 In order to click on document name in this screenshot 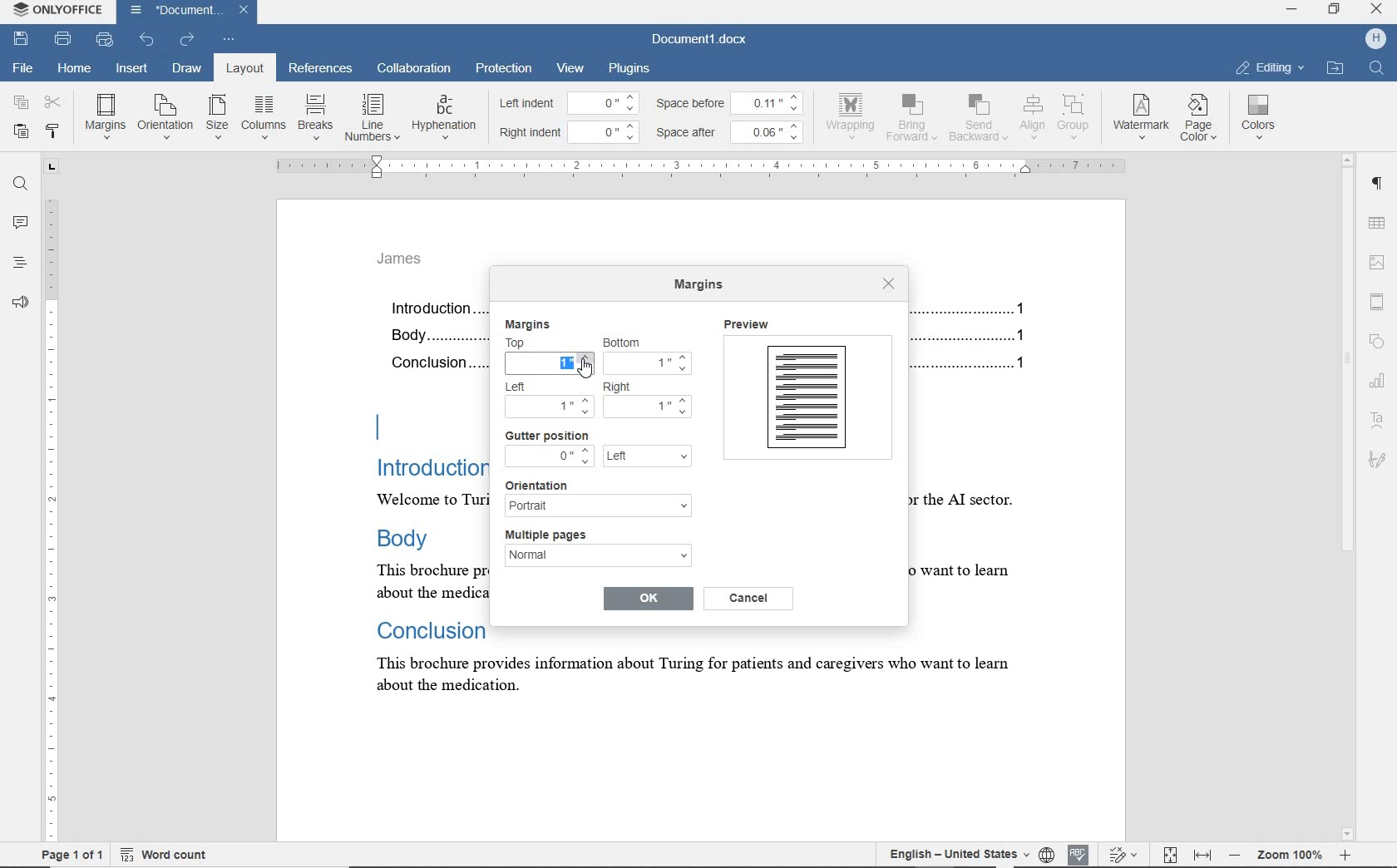, I will do `click(700, 40)`.